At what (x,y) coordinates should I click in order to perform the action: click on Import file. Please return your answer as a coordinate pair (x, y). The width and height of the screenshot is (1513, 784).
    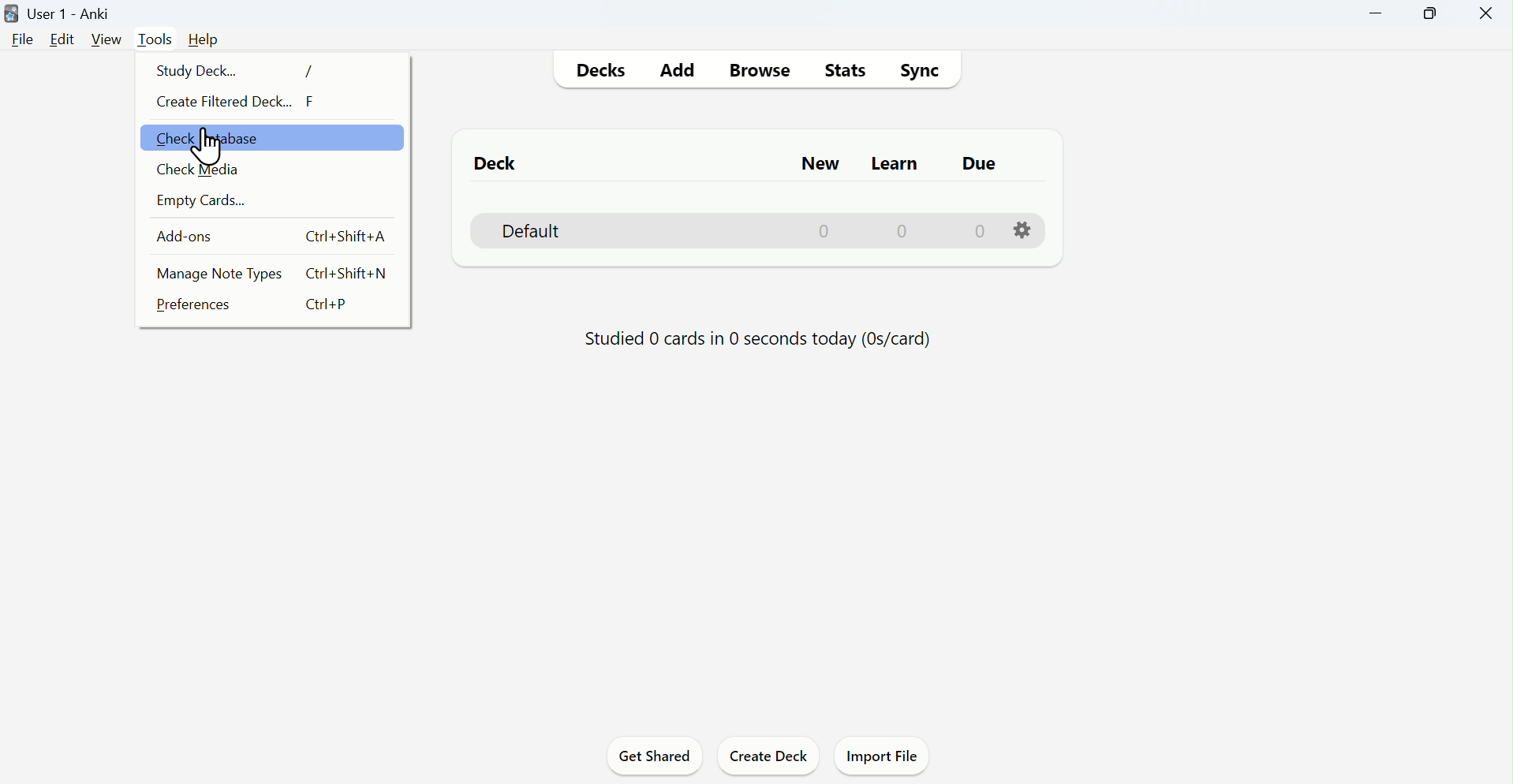
    Looking at the image, I should click on (884, 756).